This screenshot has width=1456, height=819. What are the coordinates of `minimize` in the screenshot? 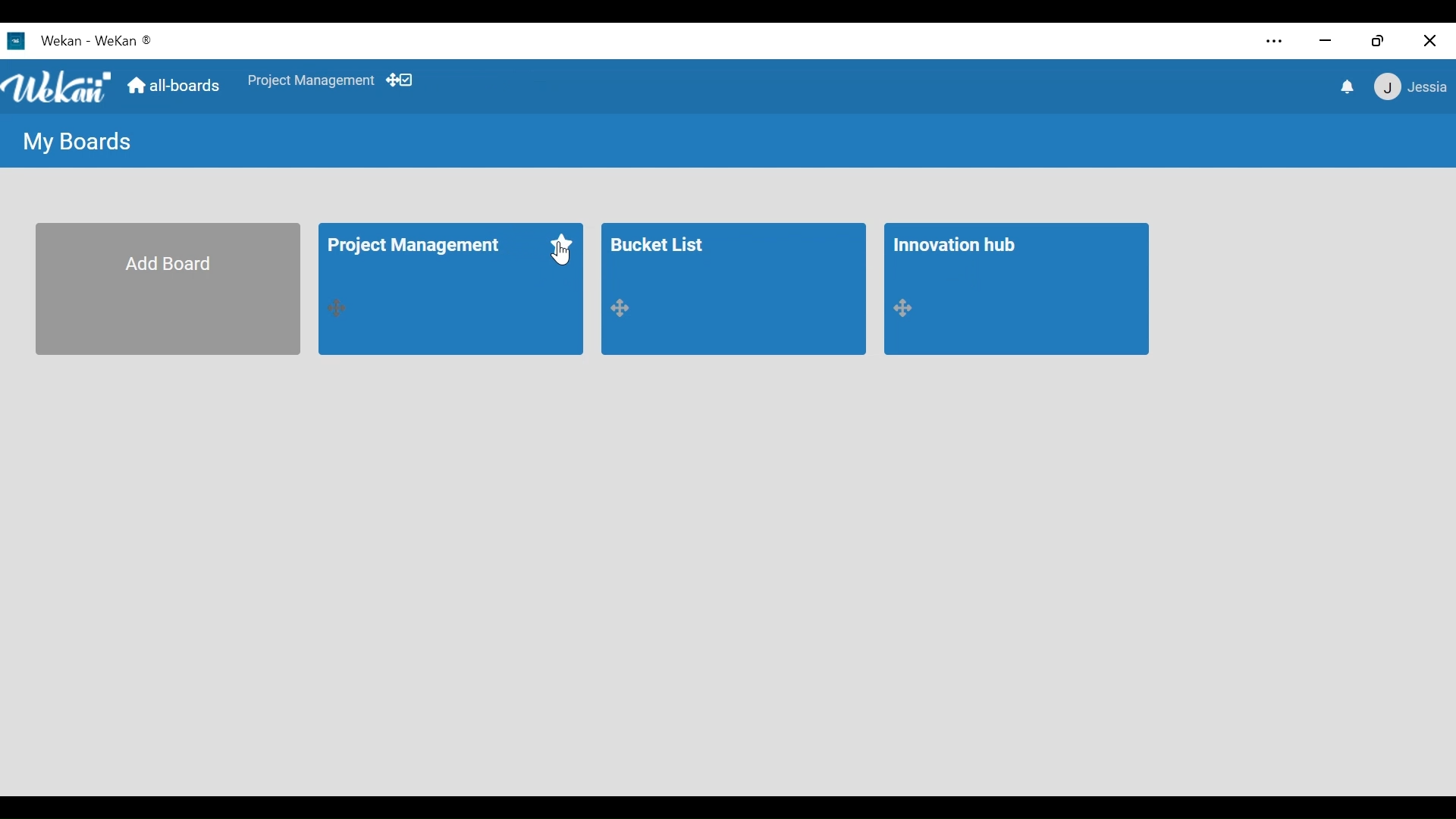 It's located at (1325, 42).